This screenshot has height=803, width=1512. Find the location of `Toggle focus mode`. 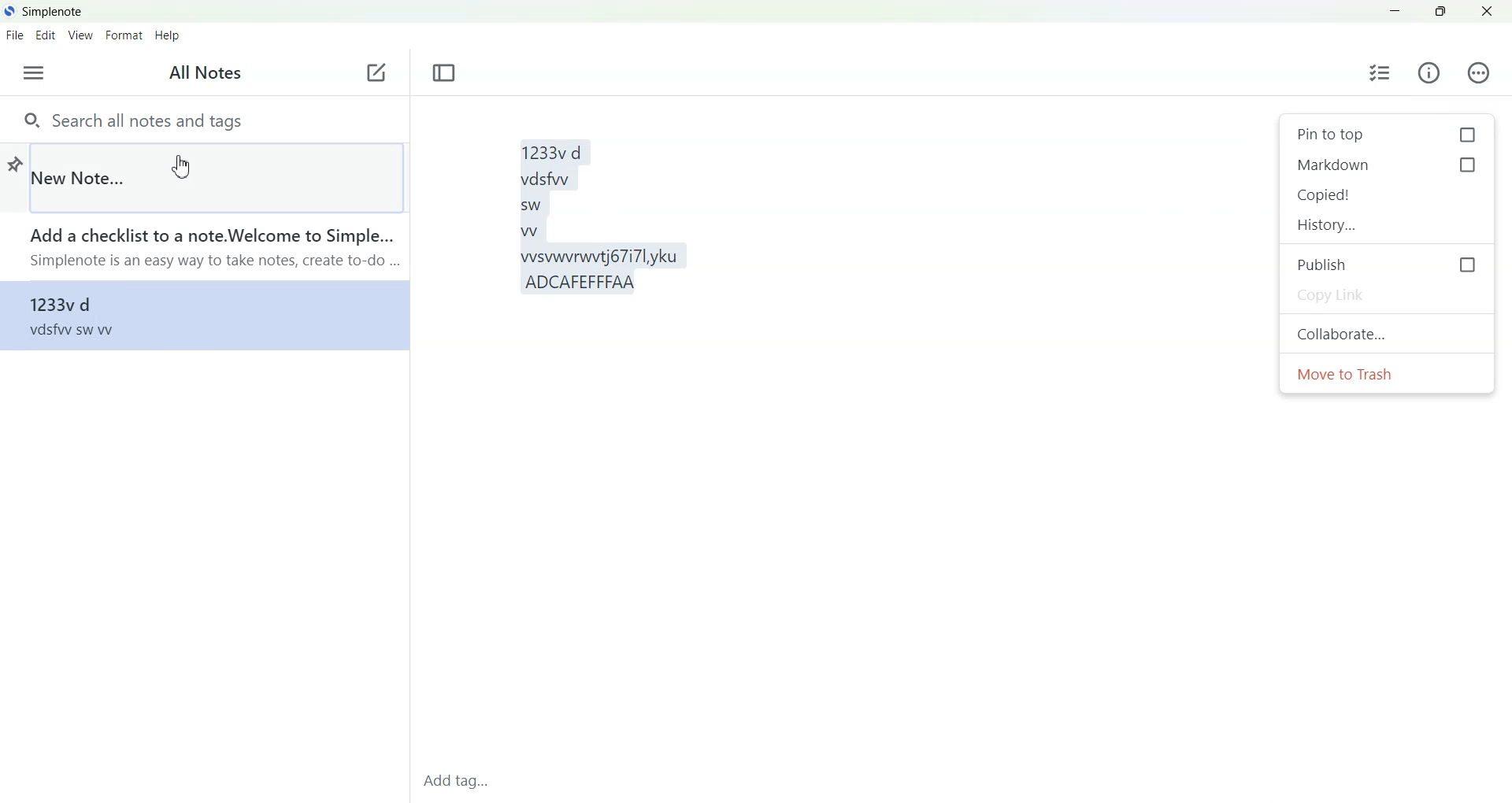

Toggle focus mode is located at coordinates (445, 73).